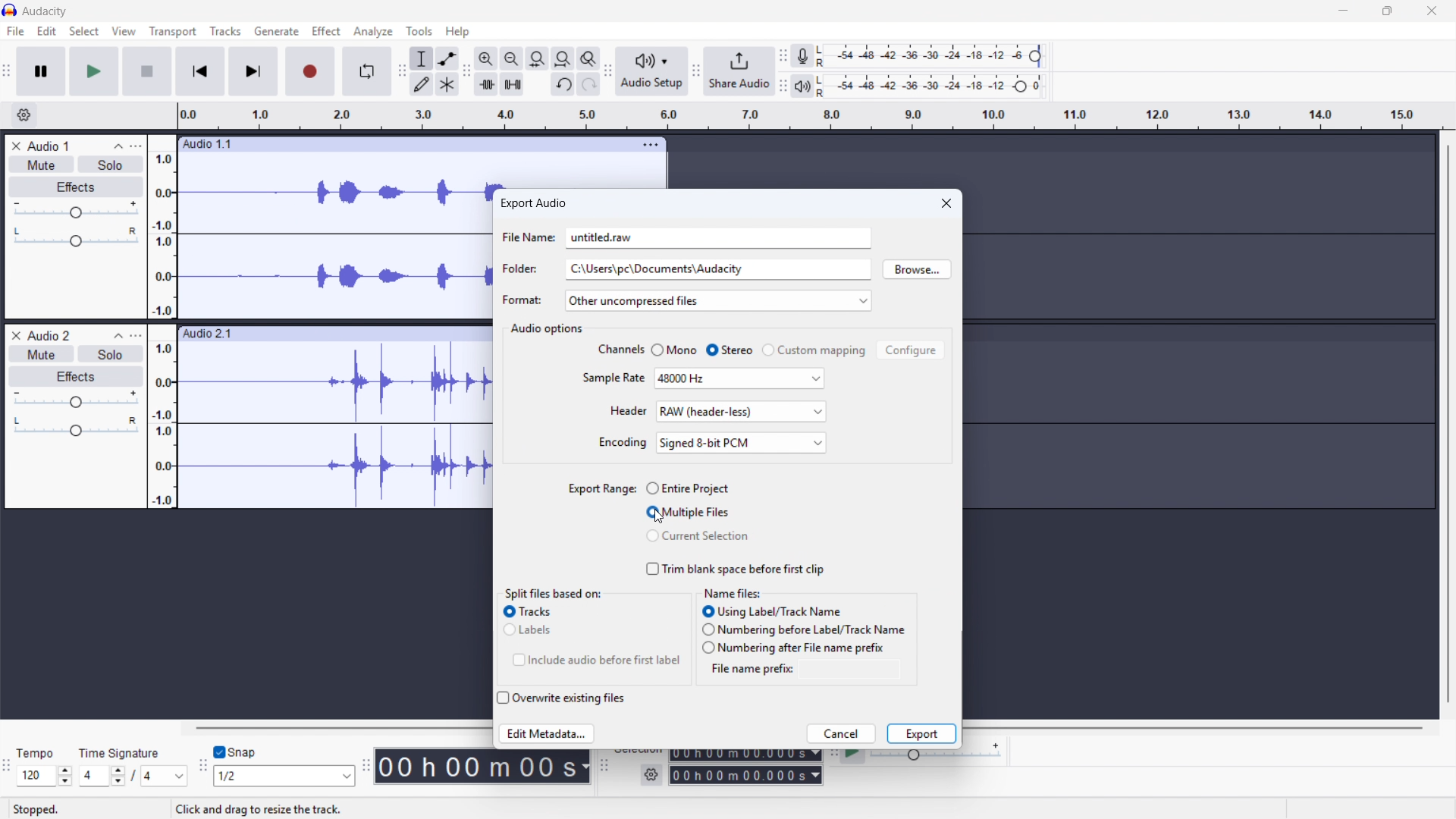 The width and height of the screenshot is (1456, 819). Describe the element at coordinates (783, 56) in the screenshot. I see `Recording metre toolbar` at that location.